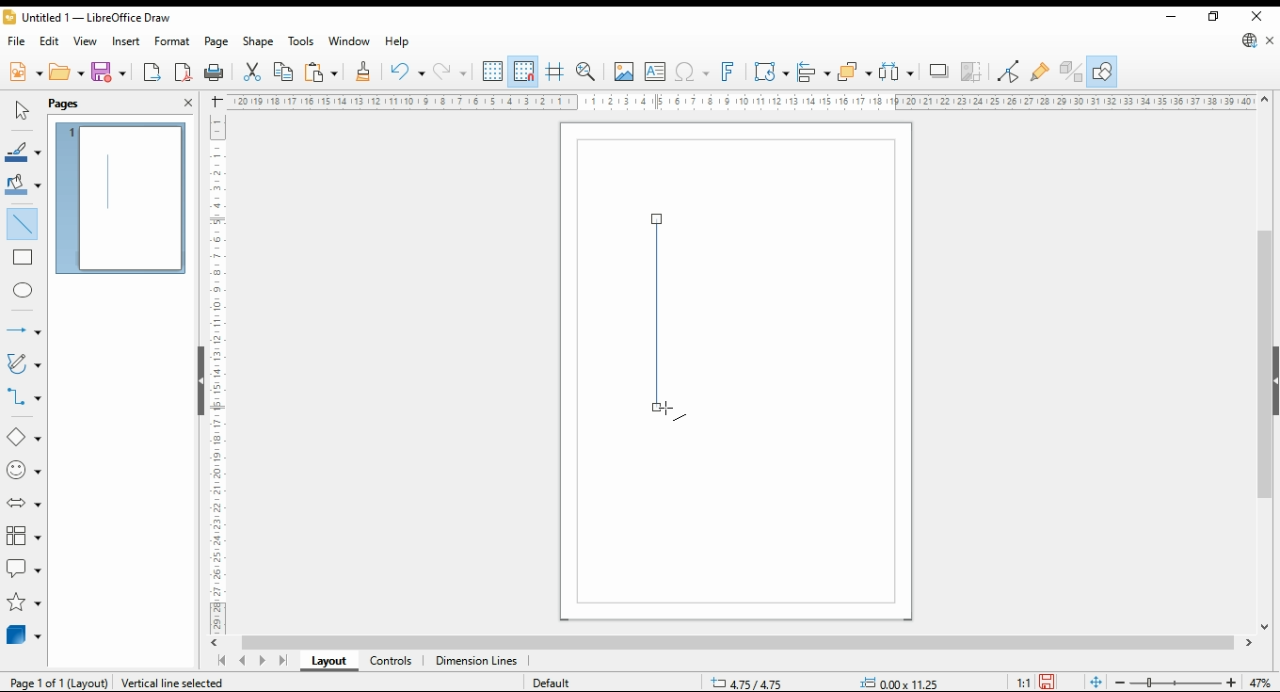 This screenshot has width=1280, height=692. I want to click on export, so click(152, 74).